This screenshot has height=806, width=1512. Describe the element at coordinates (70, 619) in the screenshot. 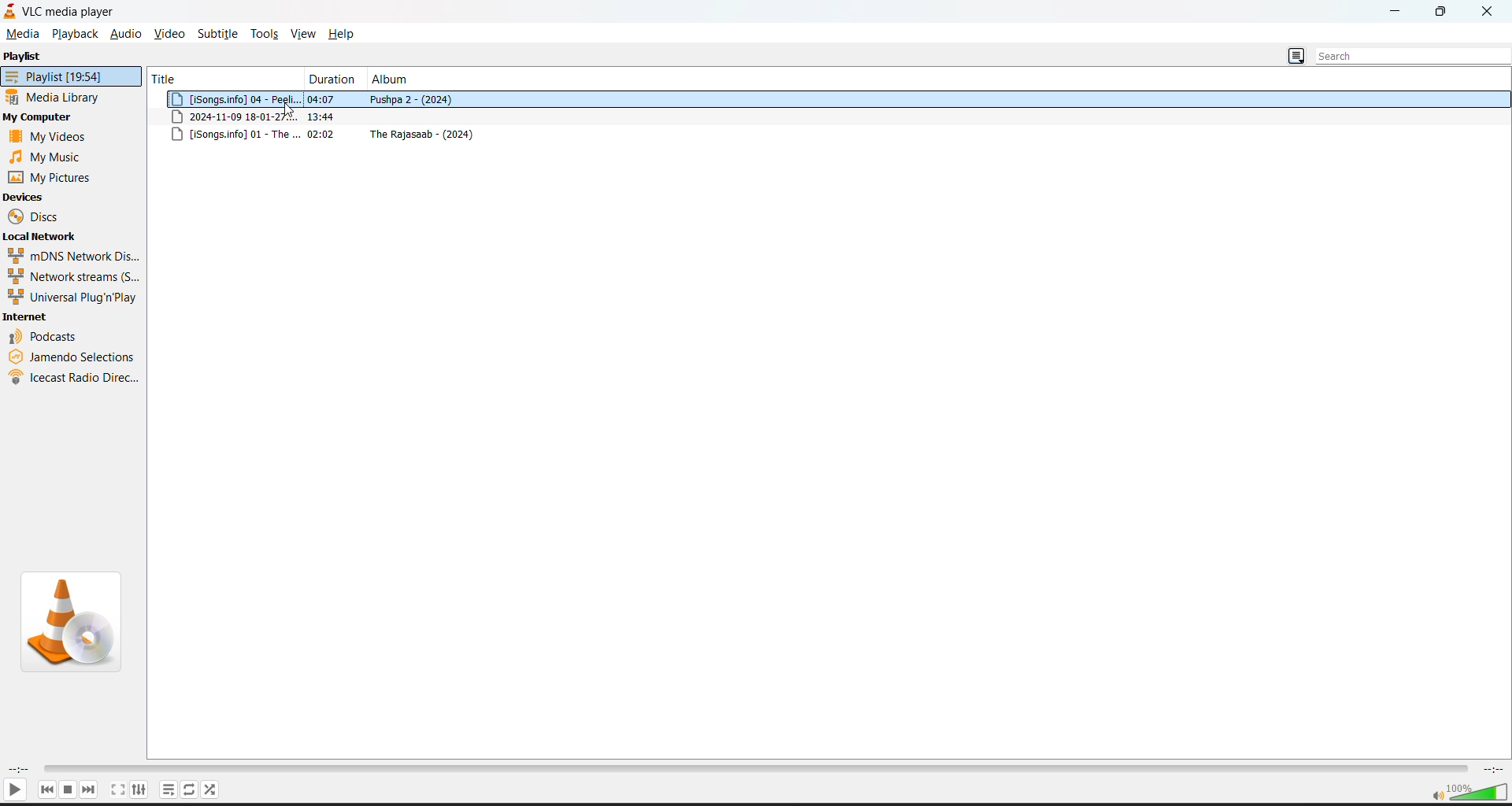

I see `default thumbnail` at that location.